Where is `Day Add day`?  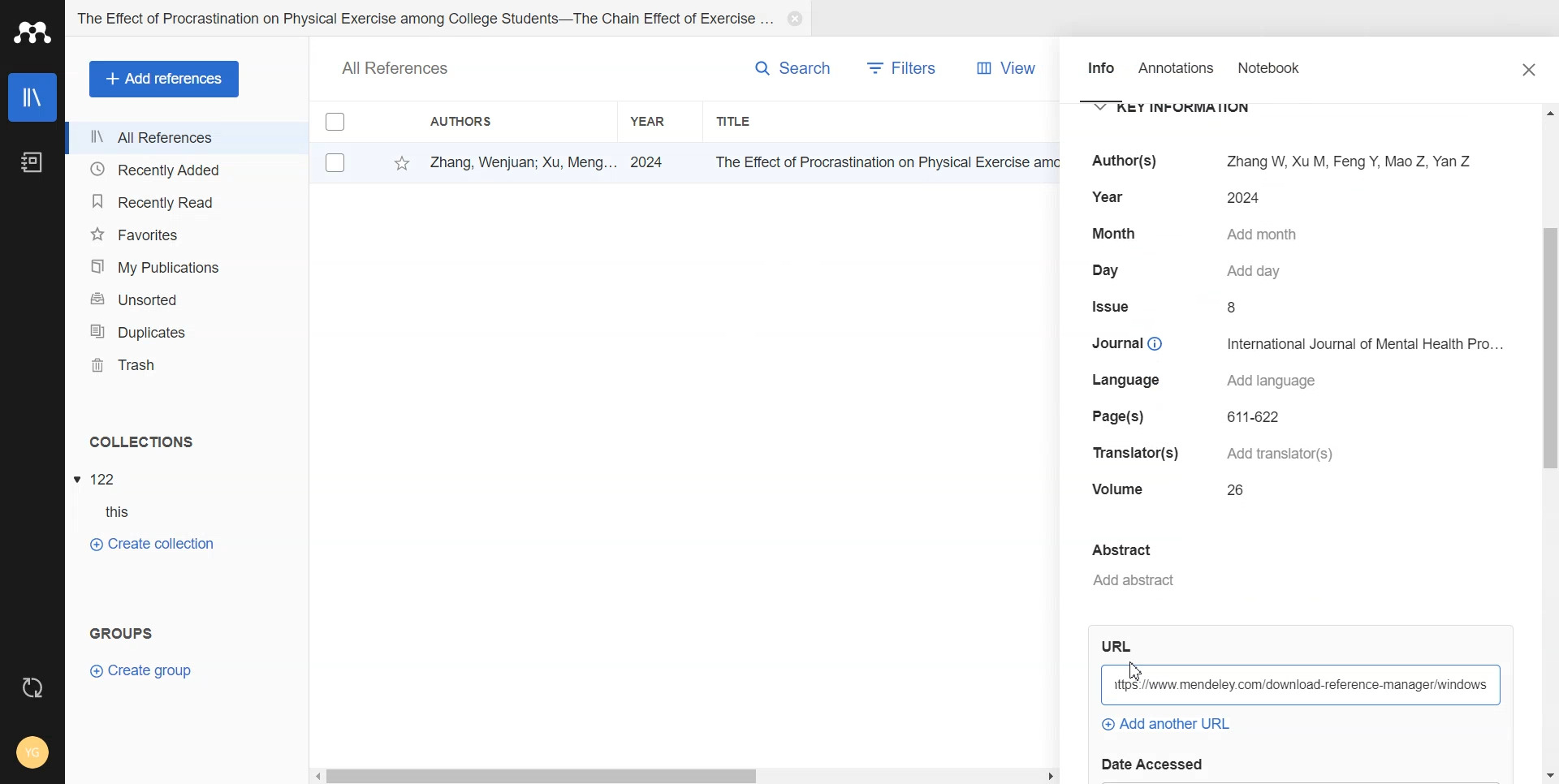 Day Add day is located at coordinates (1193, 271).